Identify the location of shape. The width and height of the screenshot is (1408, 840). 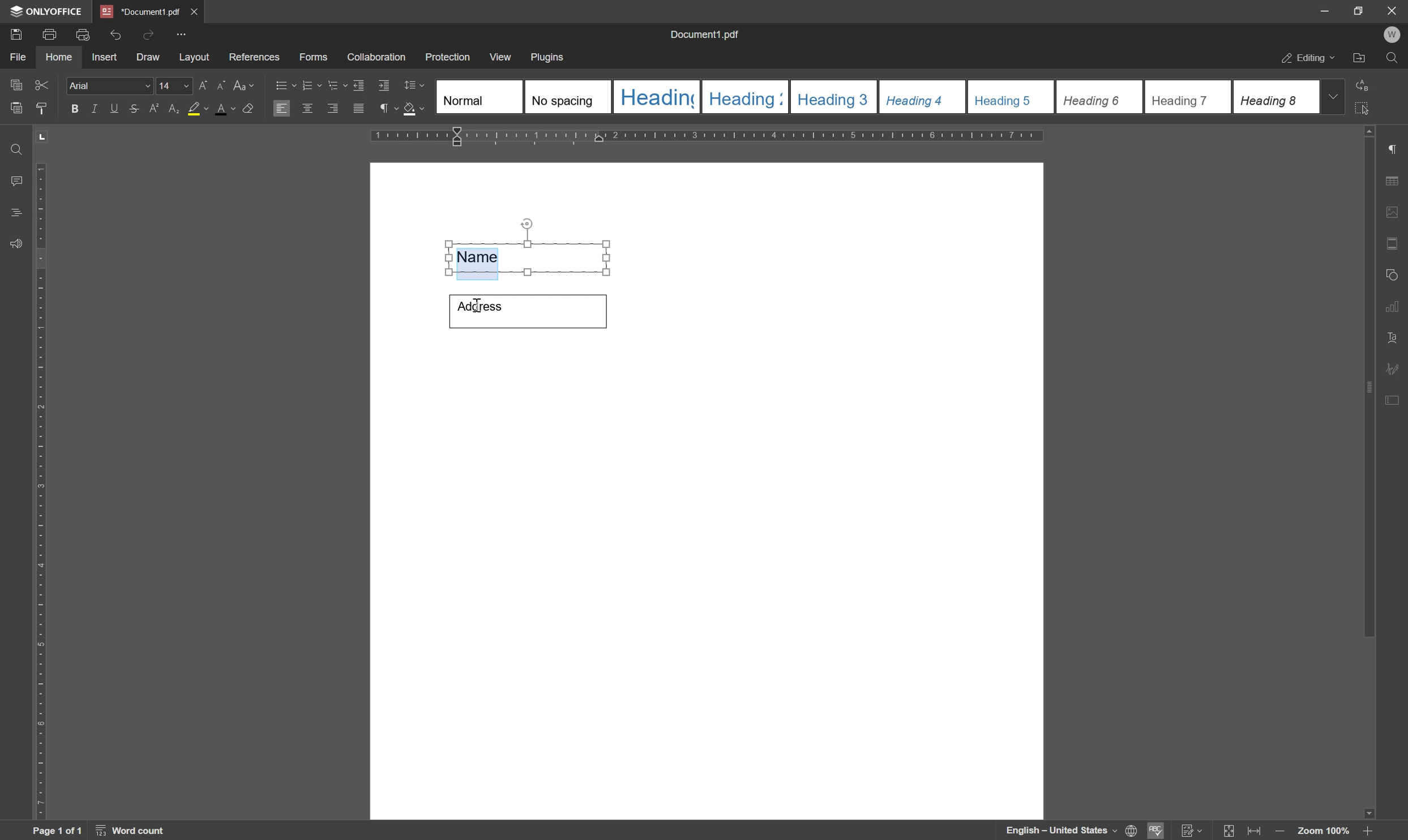
(1395, 272).